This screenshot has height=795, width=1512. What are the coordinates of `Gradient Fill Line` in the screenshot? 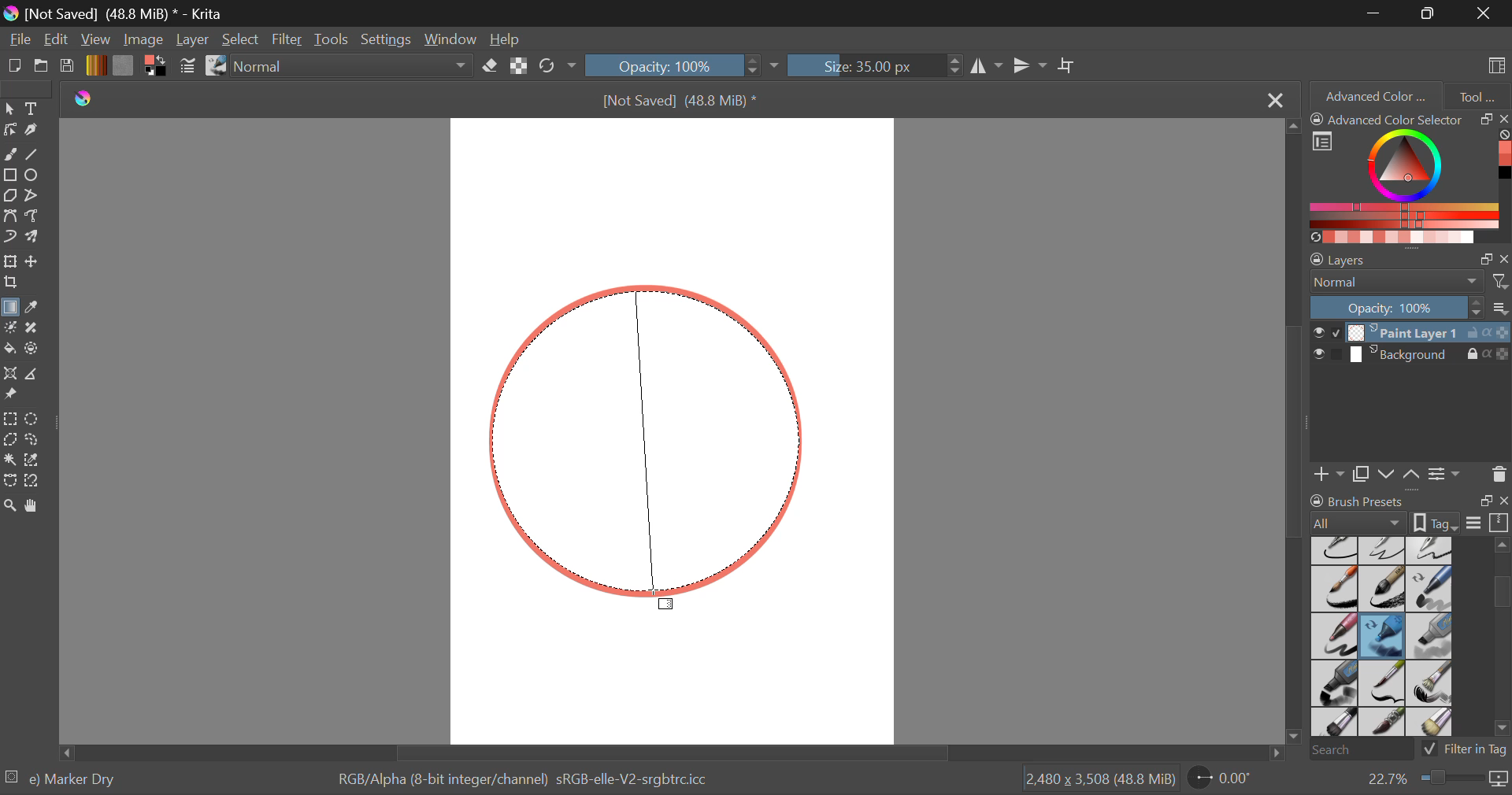 It's located at (650, 433).